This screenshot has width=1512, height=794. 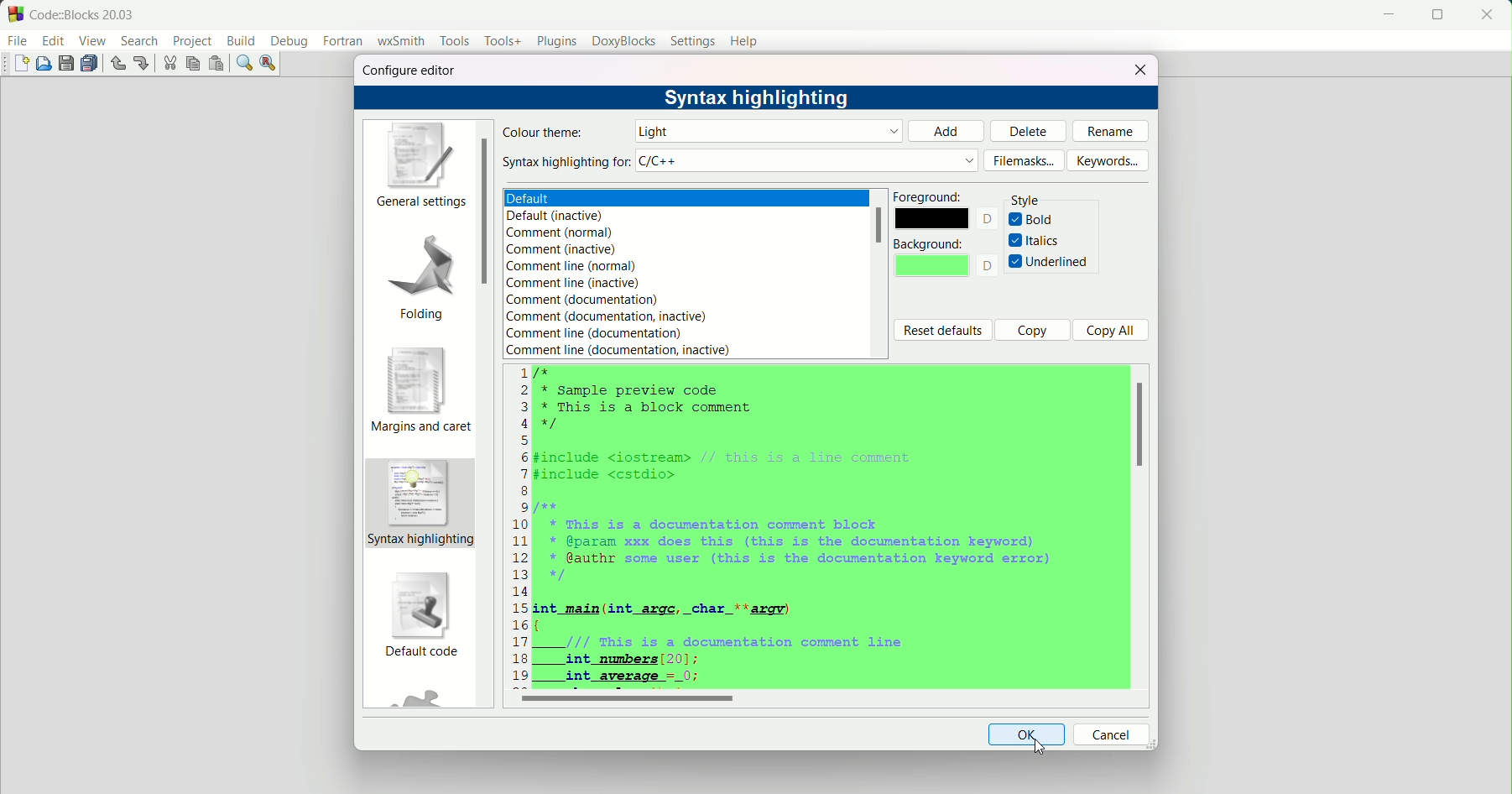 What do you see at coordinates (693, 42) in the screenshot?
I see `settings` at bounding box center [693, 42].